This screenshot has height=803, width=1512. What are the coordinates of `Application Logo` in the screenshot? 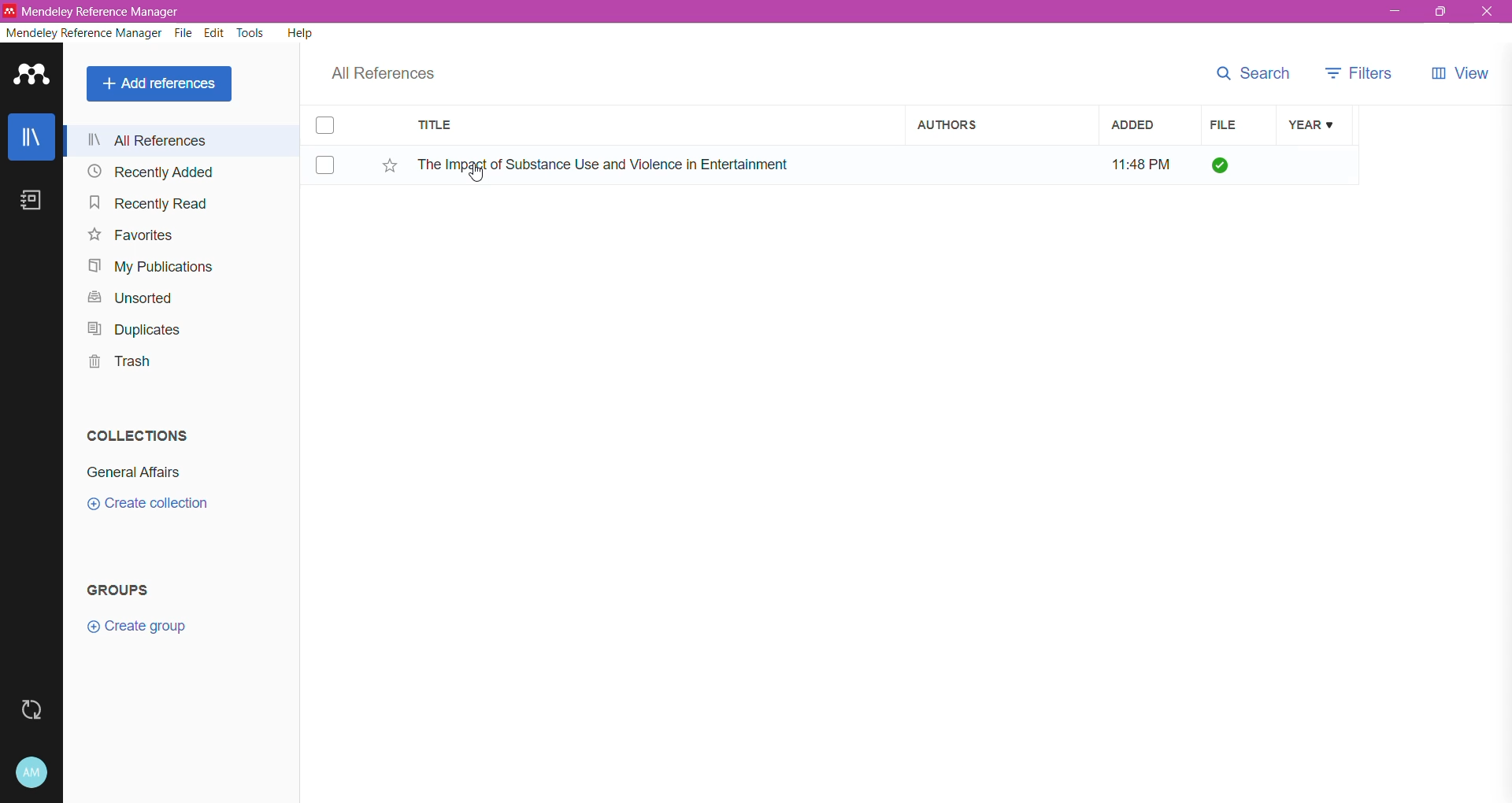 It's located at (32, 72).